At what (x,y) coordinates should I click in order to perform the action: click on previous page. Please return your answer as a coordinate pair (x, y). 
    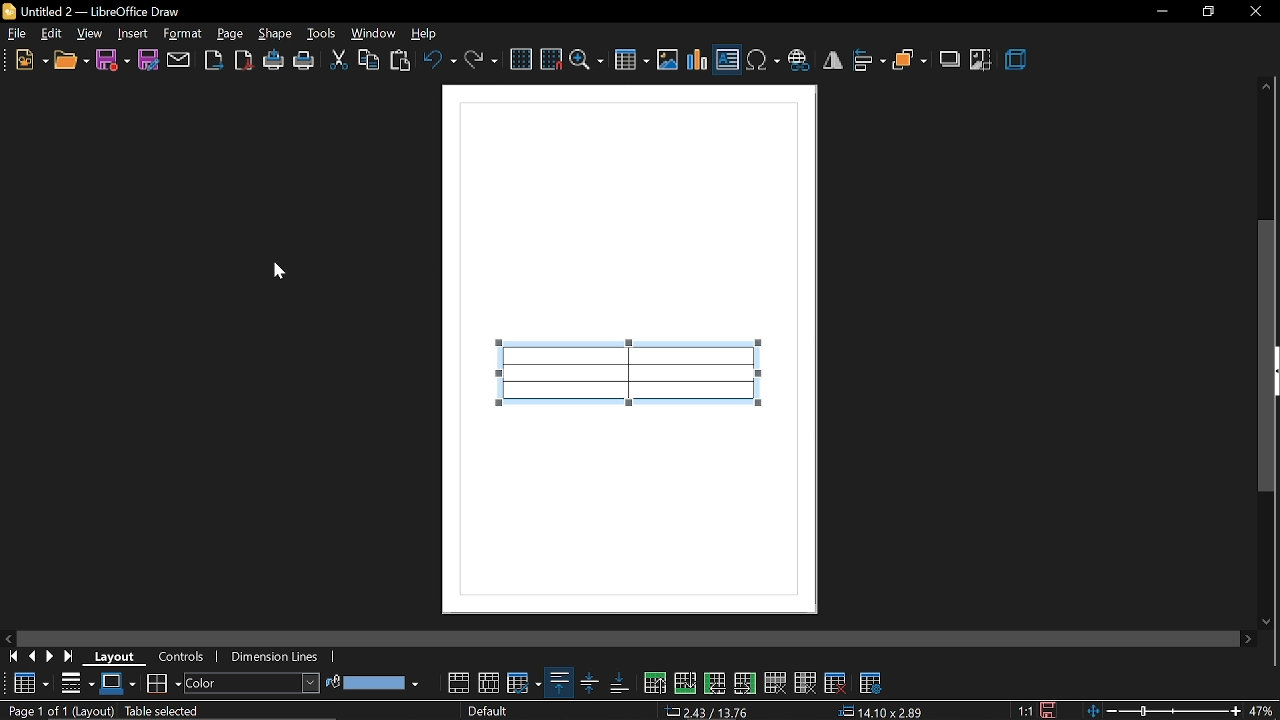
    Looking at the image, I should click on (33, 655).